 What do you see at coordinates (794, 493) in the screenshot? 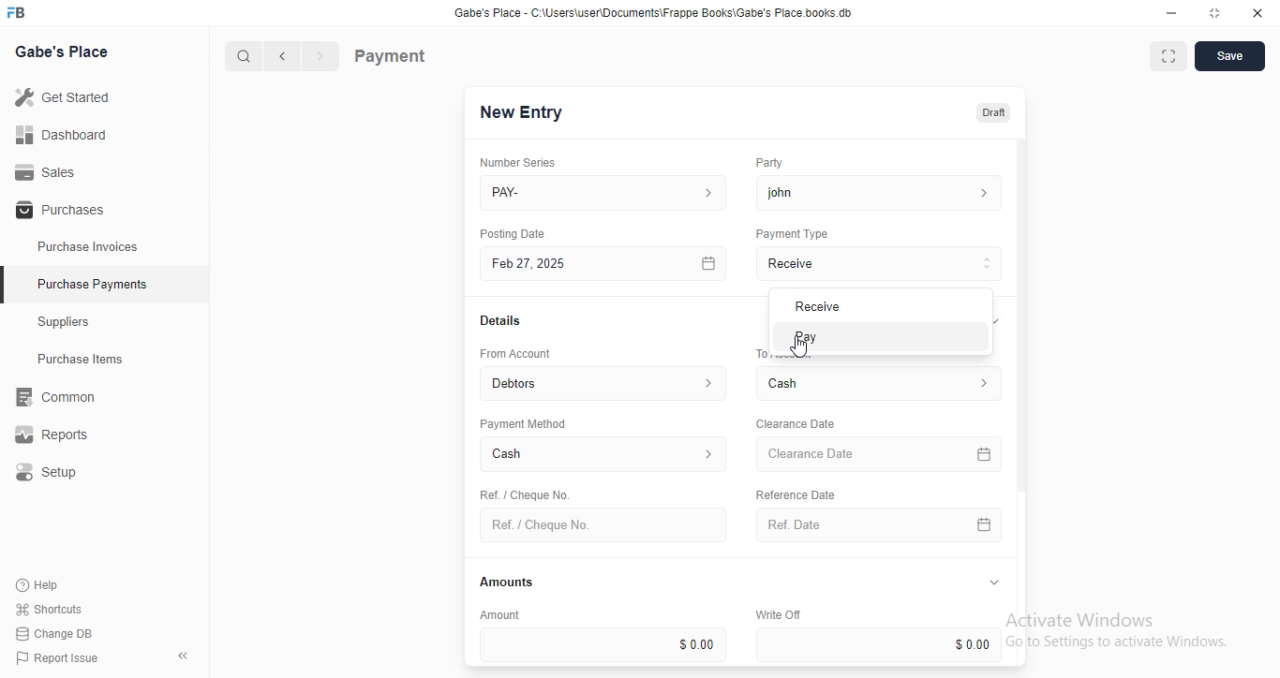
I see `Reference Date` at bounding box center [794, 493].